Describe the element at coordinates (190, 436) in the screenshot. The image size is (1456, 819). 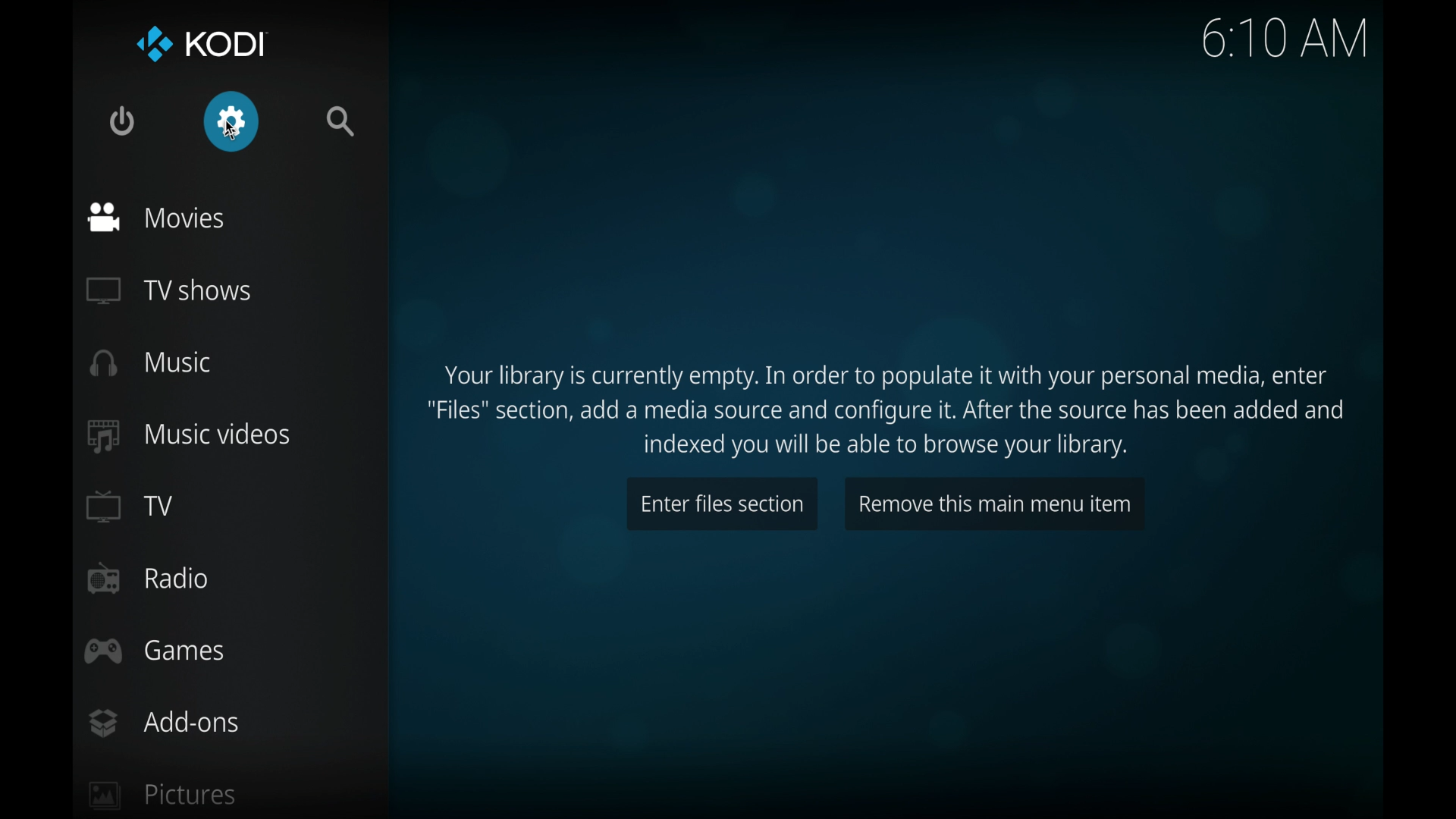
I see `music videos` at that location.